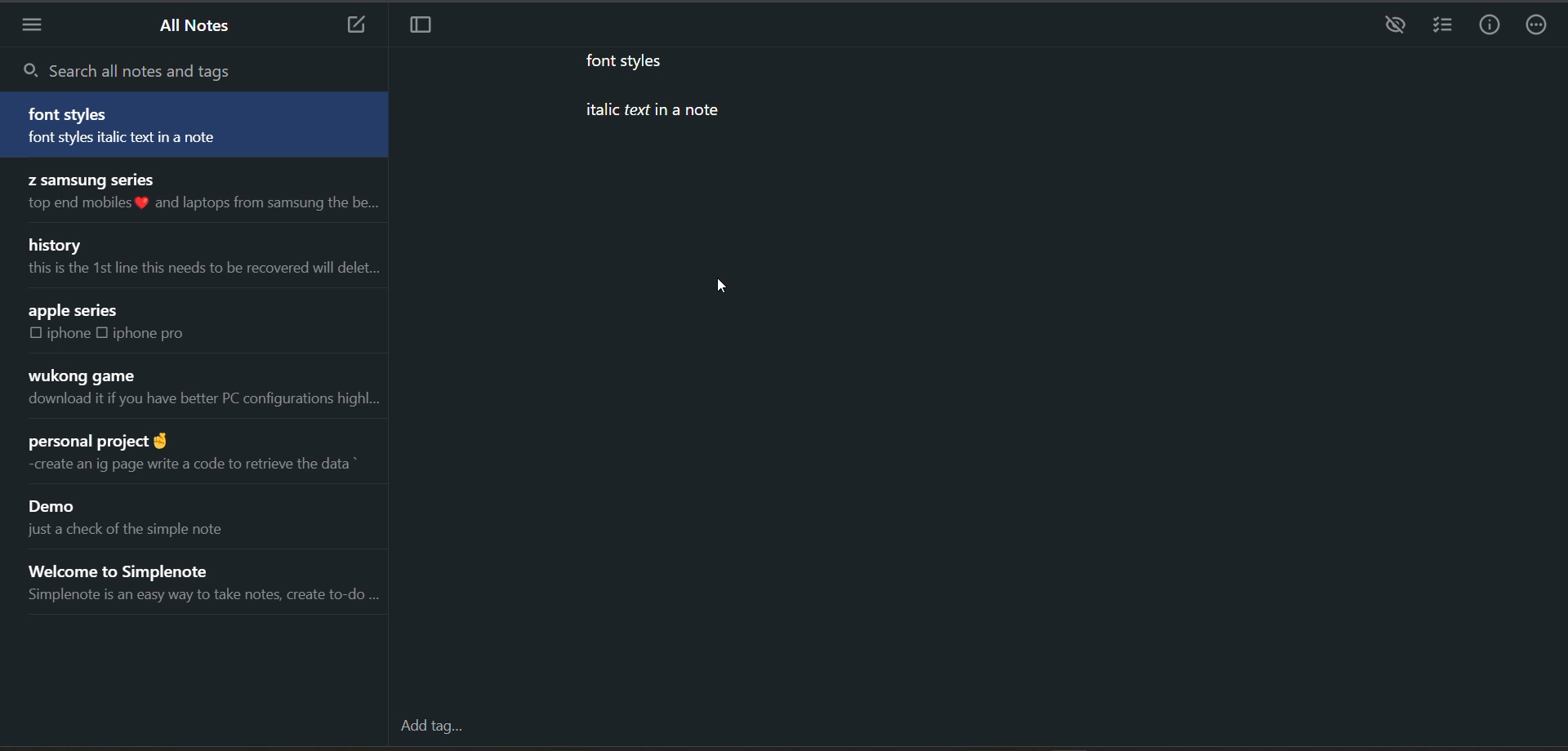 Image resolution: width=1568 pixels, height=751 pixels. What do you see at coordinates (633, 60) in the screenshot?
I see `font styles` at bounding box center [633, 60].